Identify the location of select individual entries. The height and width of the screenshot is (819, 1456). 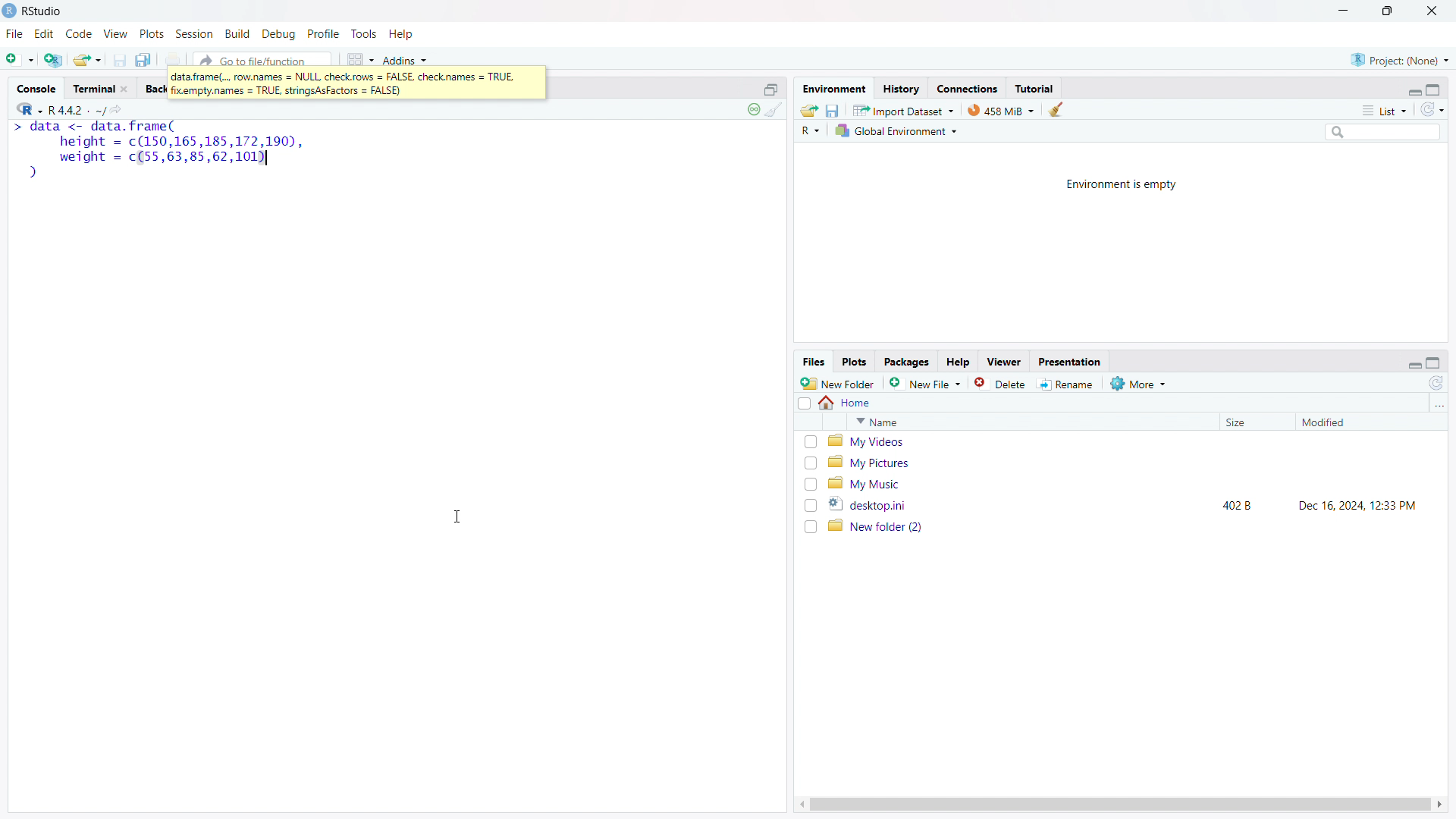
(810, 485).